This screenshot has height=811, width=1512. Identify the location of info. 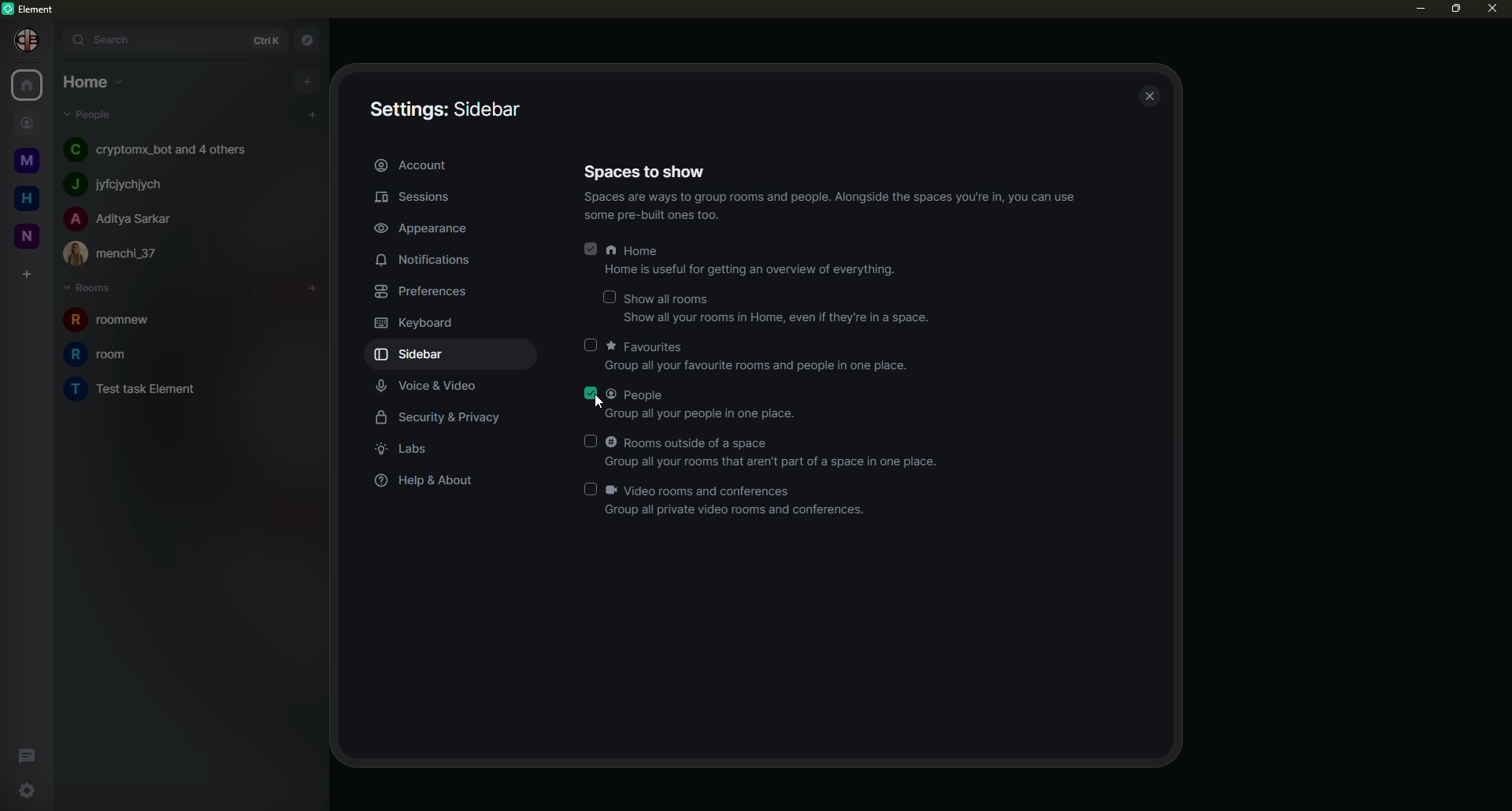
(837, 206).